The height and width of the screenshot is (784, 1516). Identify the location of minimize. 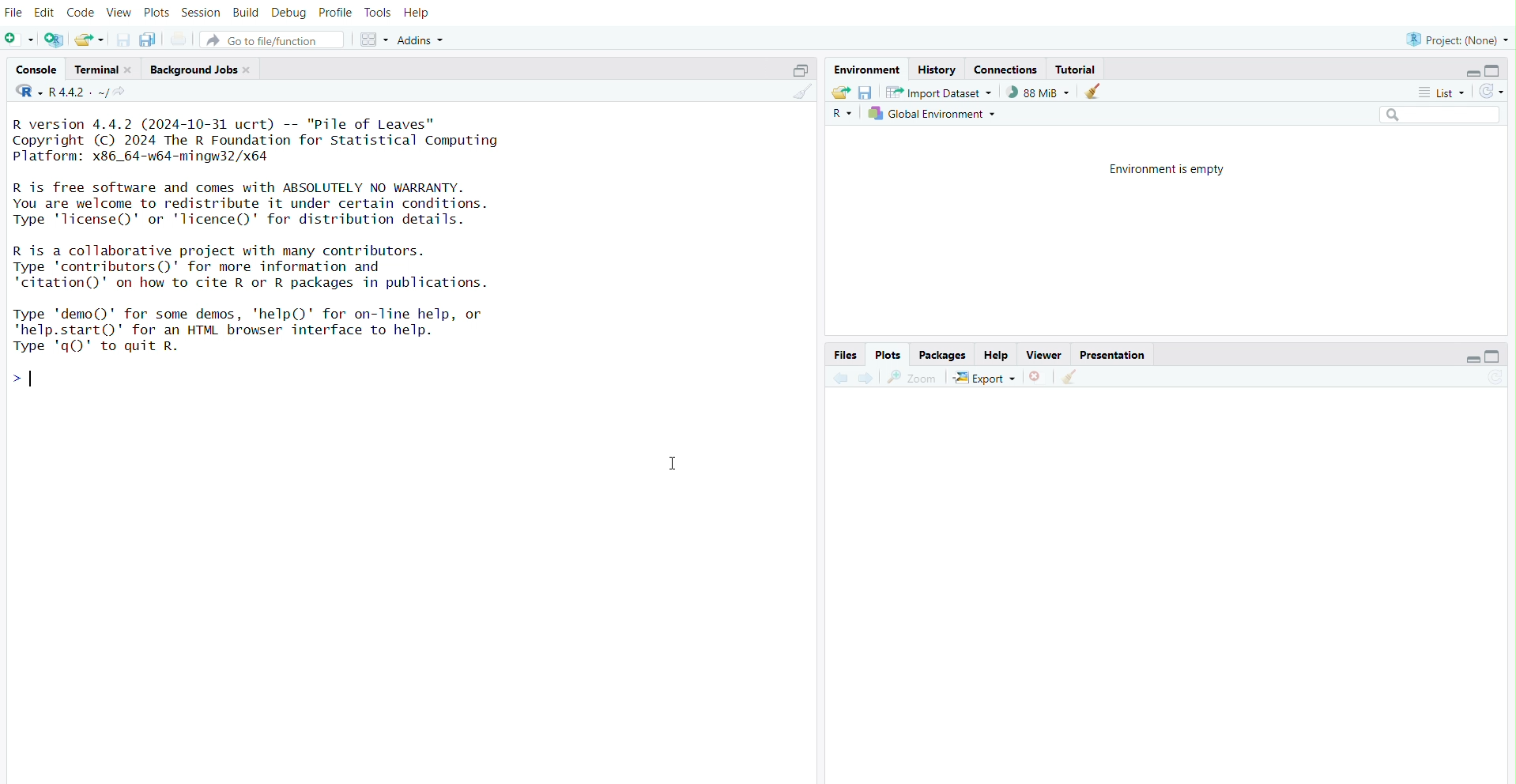
(1465, 70).